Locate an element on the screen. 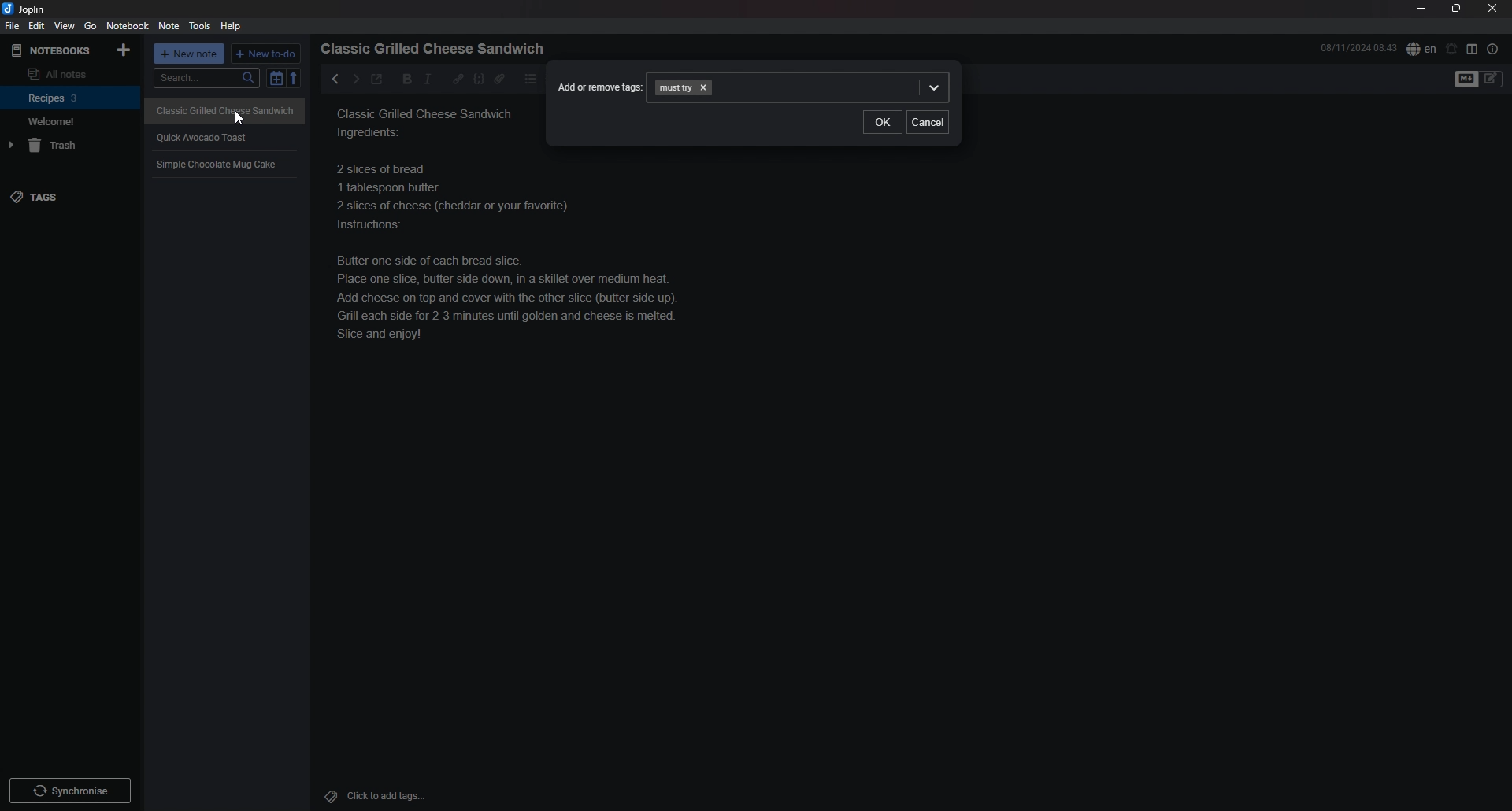 The image size is (1512, 811). go is located at coordinates (91, 25).